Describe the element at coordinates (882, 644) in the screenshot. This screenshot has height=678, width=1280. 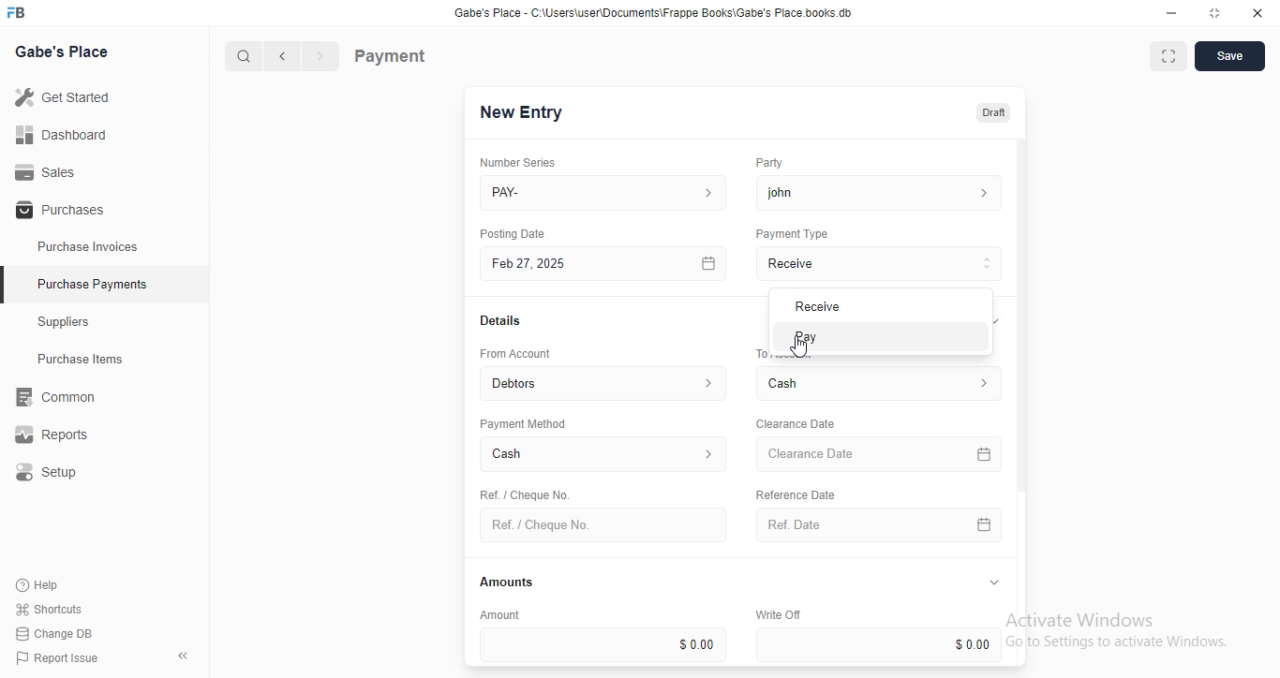
I see `$0.00` at that location.